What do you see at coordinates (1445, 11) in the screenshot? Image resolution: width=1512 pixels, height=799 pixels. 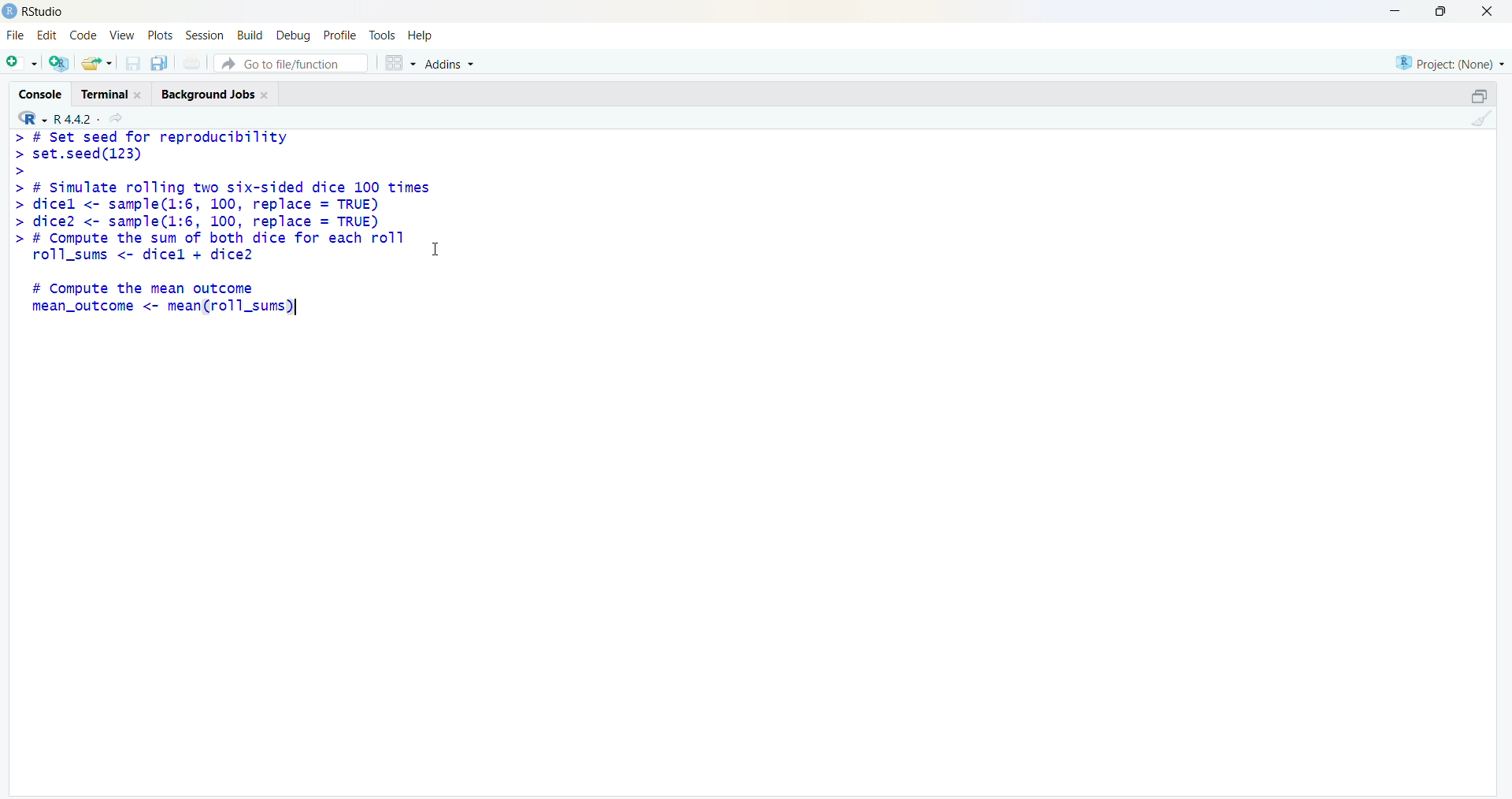 I see `maximise` at bounding box center [1445, 11].